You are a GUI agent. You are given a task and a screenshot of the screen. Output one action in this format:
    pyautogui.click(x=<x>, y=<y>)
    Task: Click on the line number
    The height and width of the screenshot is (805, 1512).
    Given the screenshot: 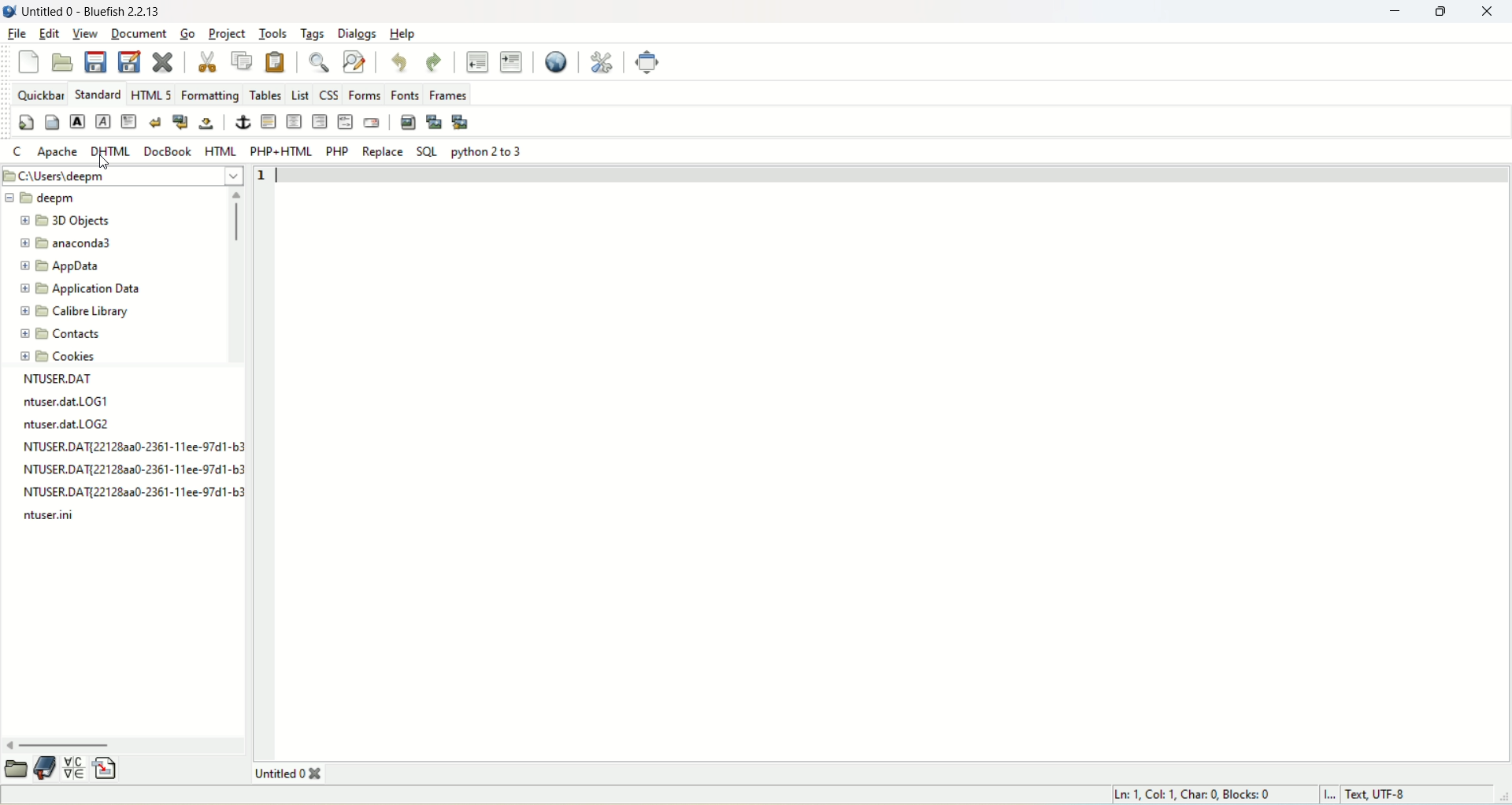 What is the action you would take?
    pyautogui.click(x=265, y=176)
    